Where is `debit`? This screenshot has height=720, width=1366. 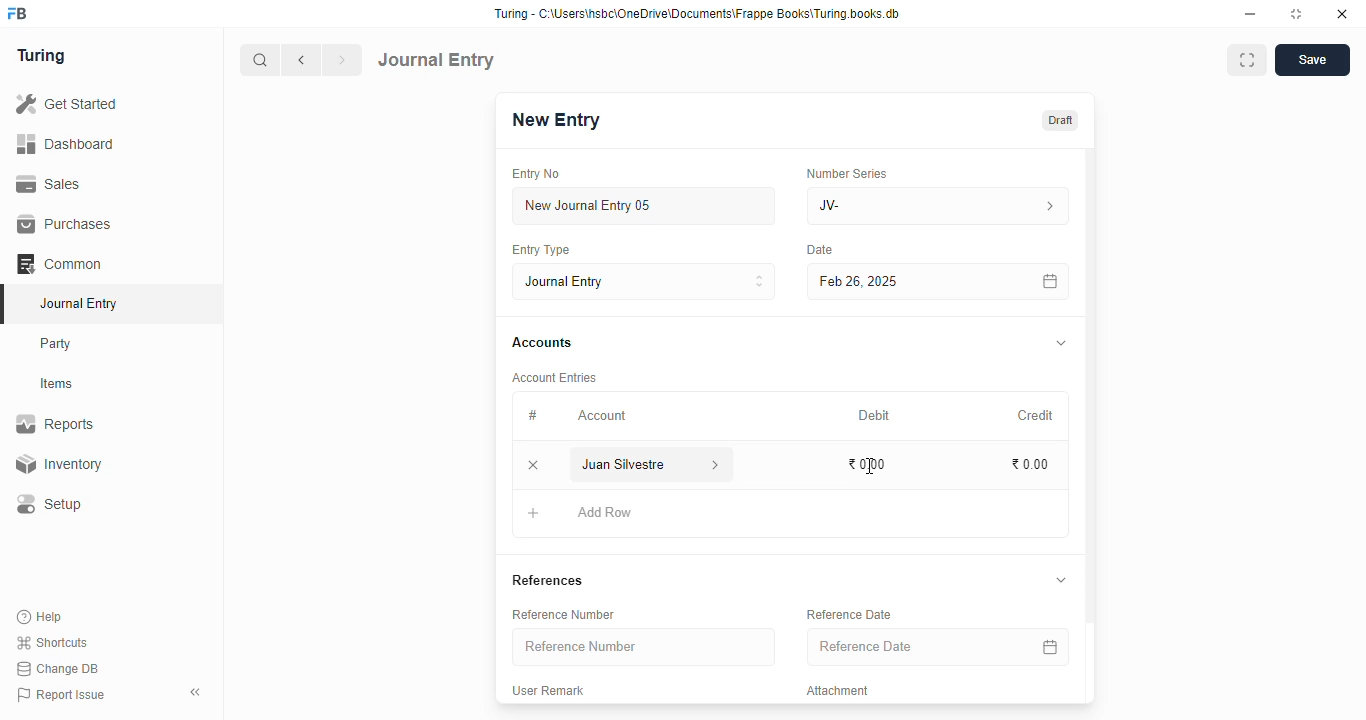
debit is located at coordinates (875, 415).